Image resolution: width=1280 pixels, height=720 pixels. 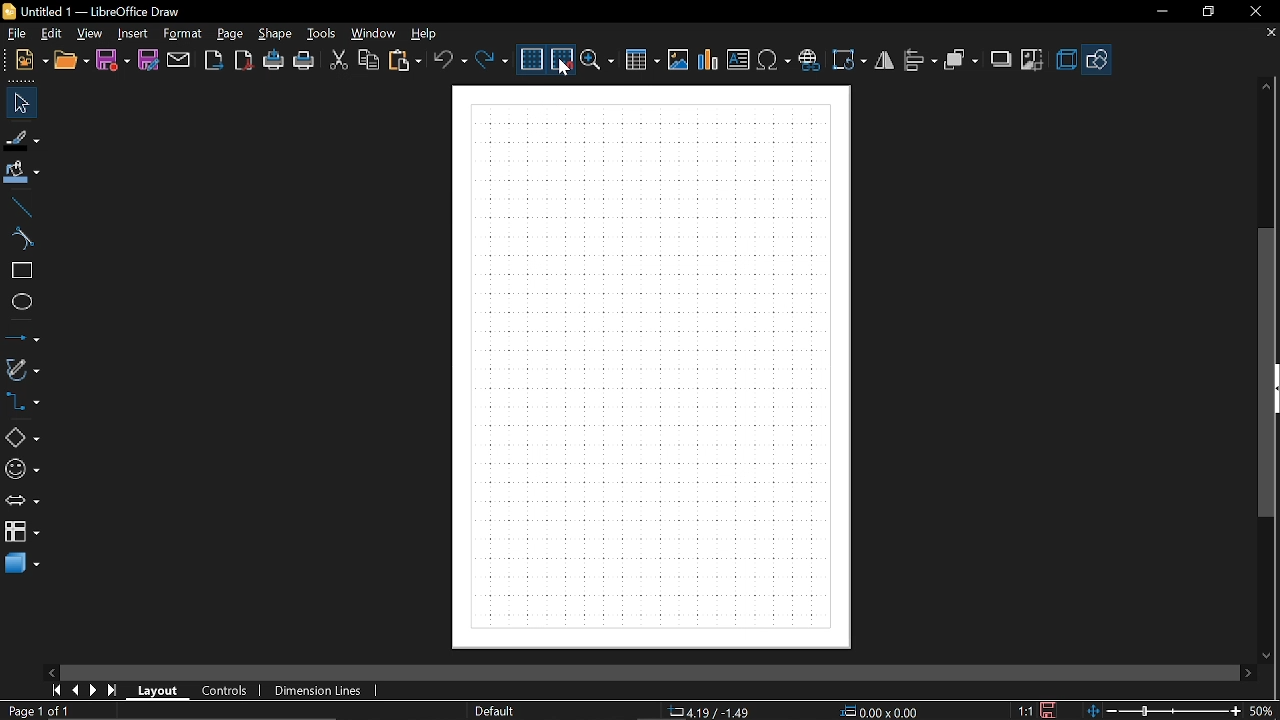 What do you see at coordinates (73, 62) in the screenshot?
I see `open` at bounding box center [73, 62].